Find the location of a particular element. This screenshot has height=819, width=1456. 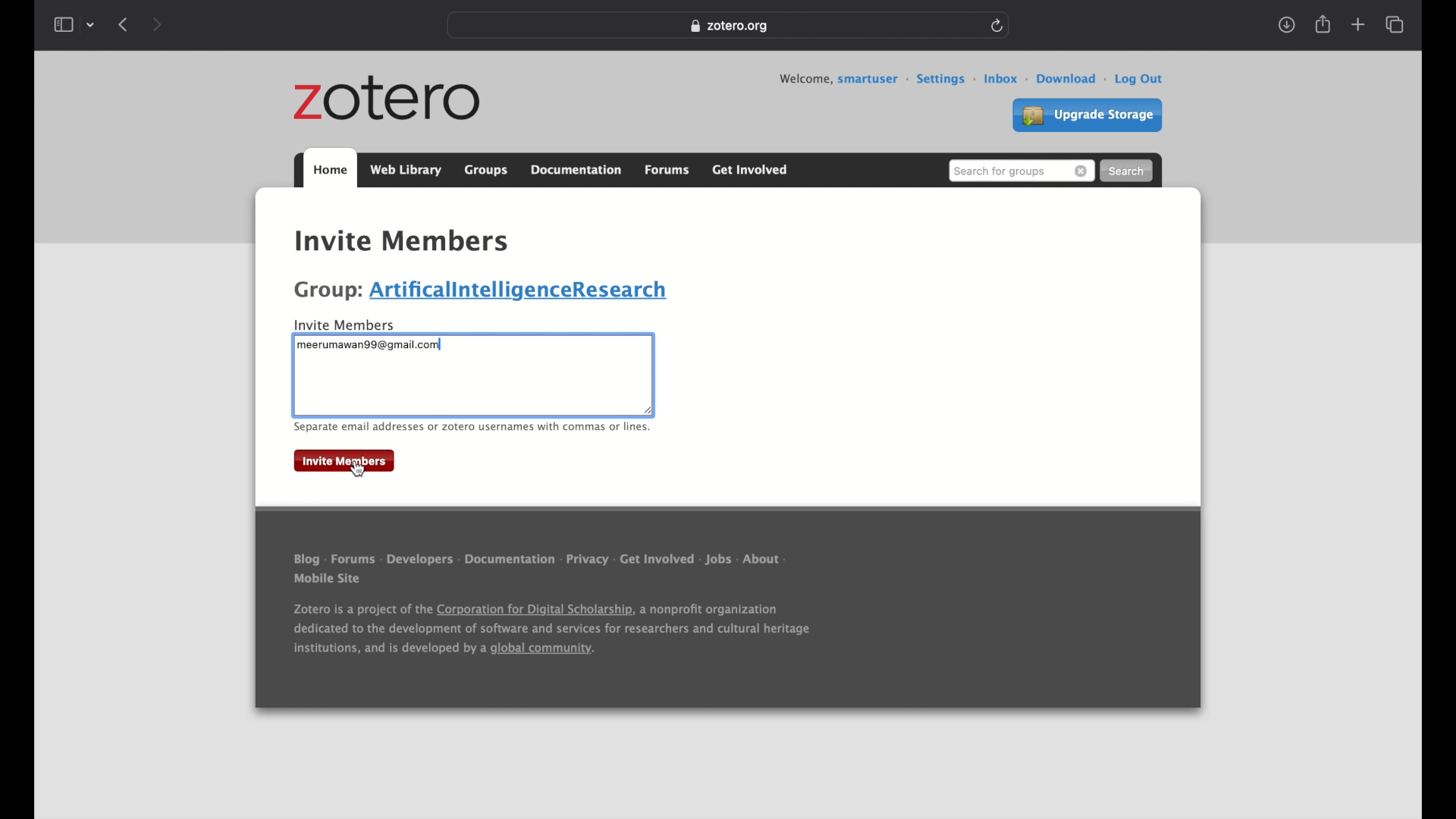

previous is located at coordinates (123, 26).